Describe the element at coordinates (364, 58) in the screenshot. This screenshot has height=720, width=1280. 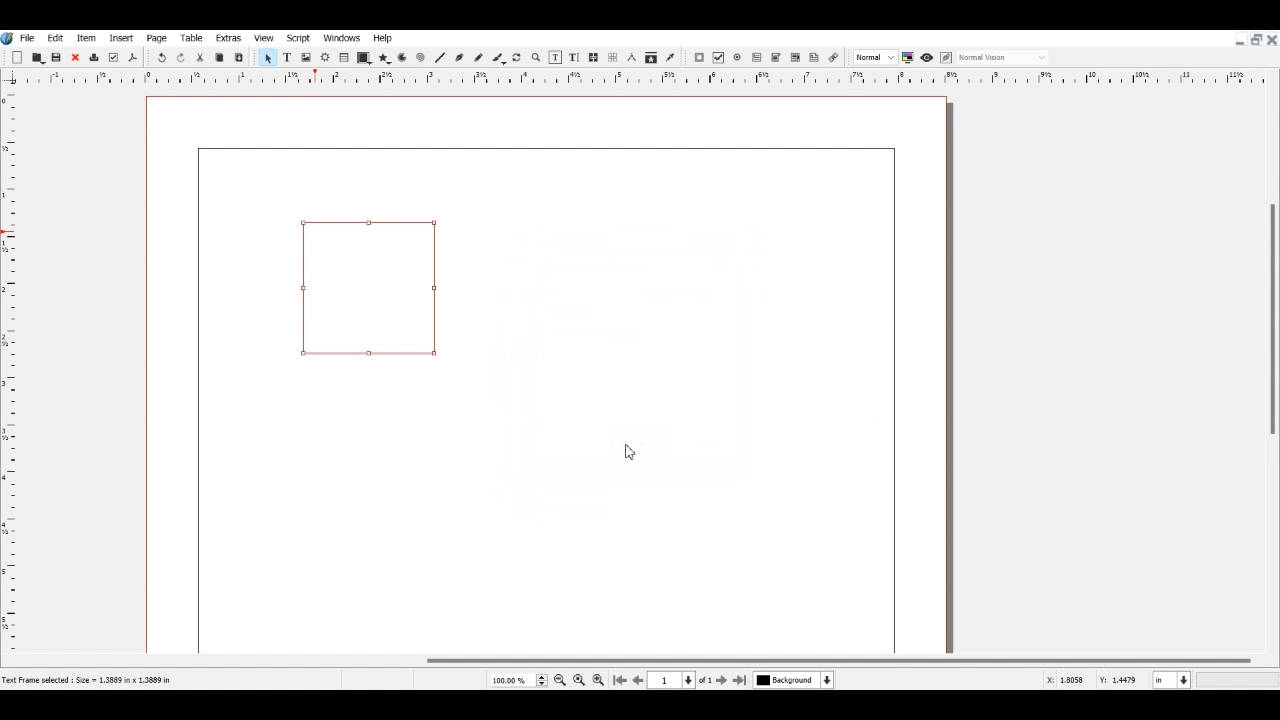
I see `Shape` at that location.